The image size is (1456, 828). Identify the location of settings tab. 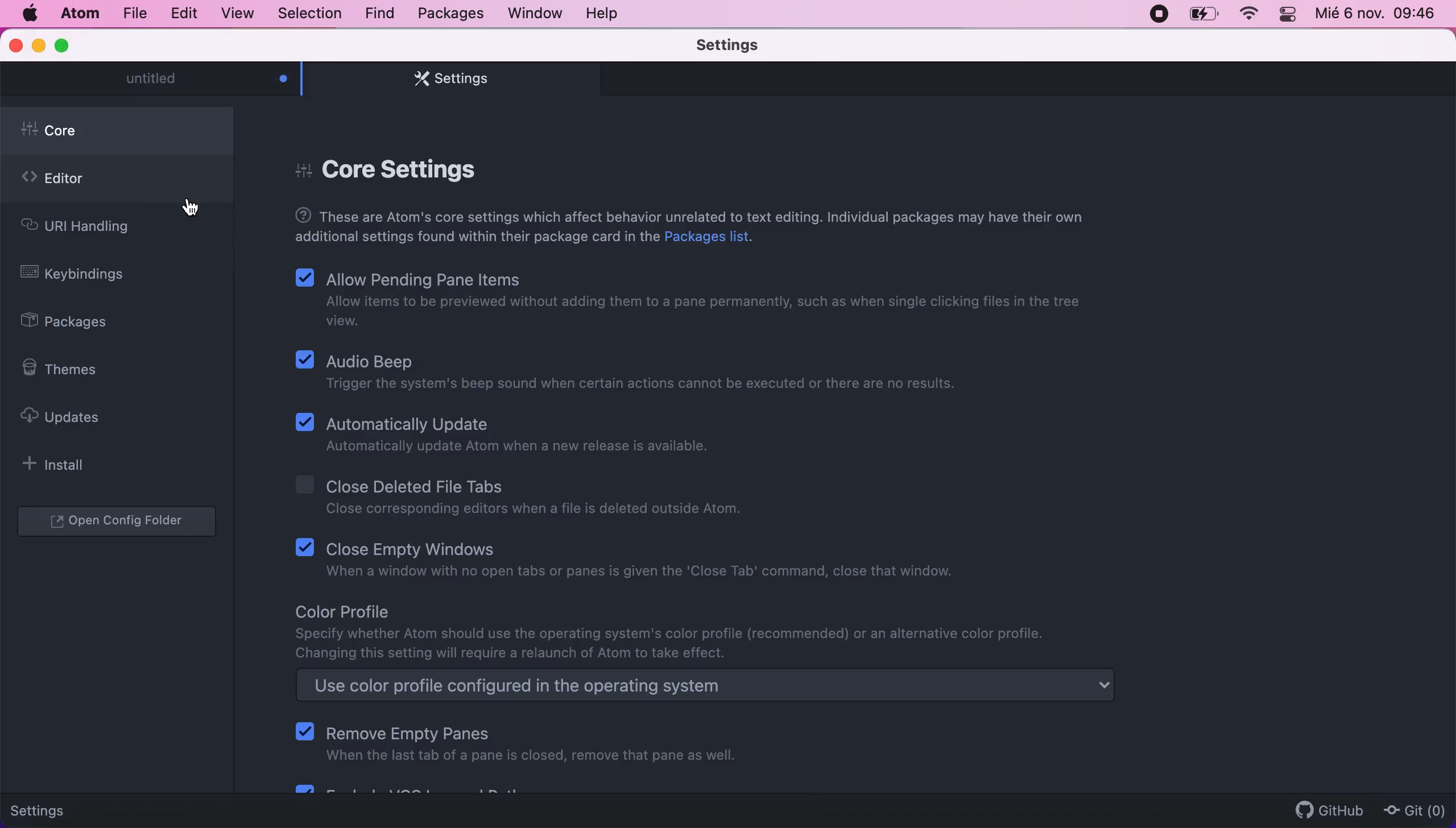
(455, 80).